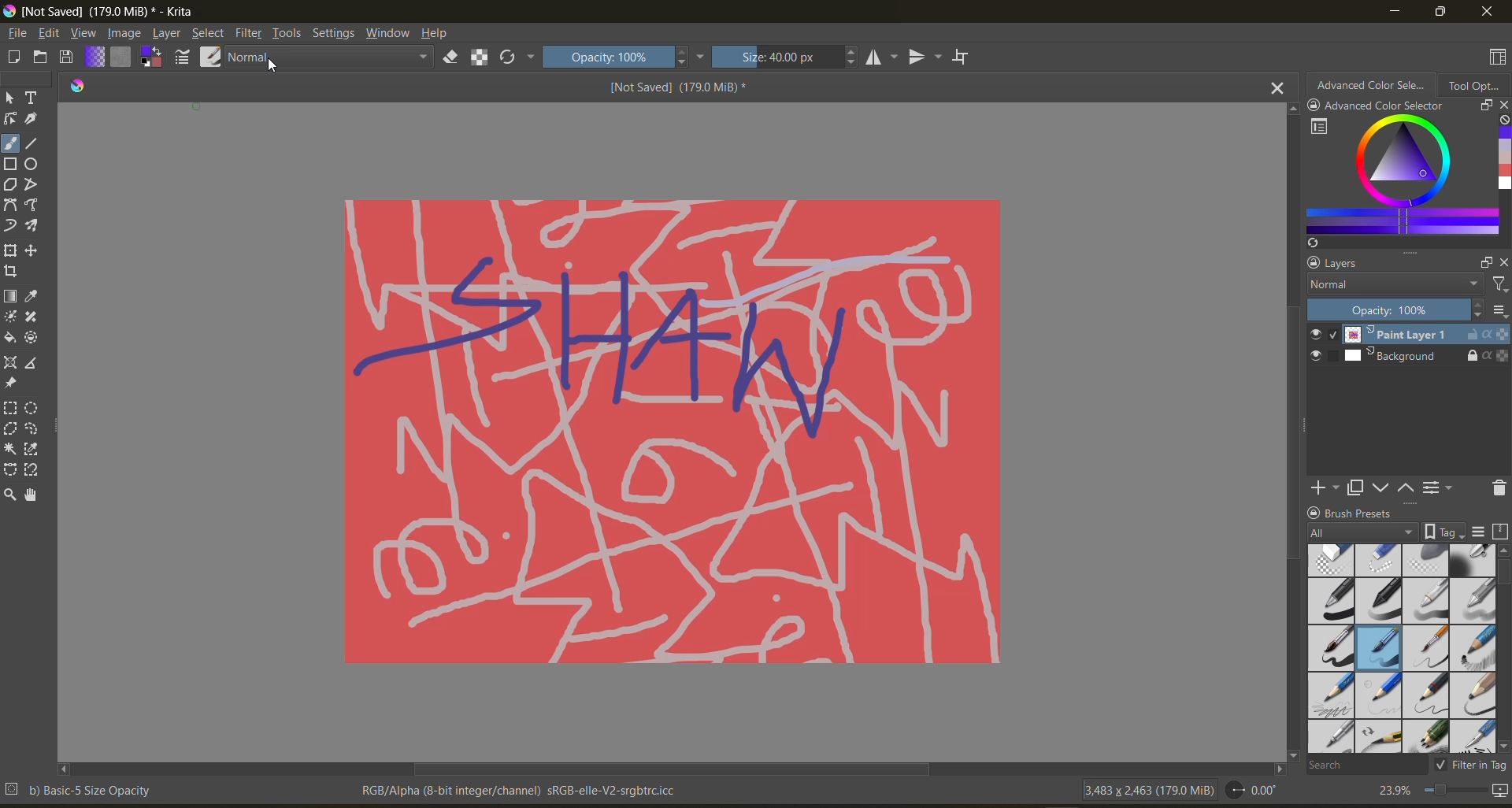 The image size is (1512, 808). What do you see at coordinates (11, 164) in the screenshot?
I see `rectangle tool` at bounding box center [11, 164].